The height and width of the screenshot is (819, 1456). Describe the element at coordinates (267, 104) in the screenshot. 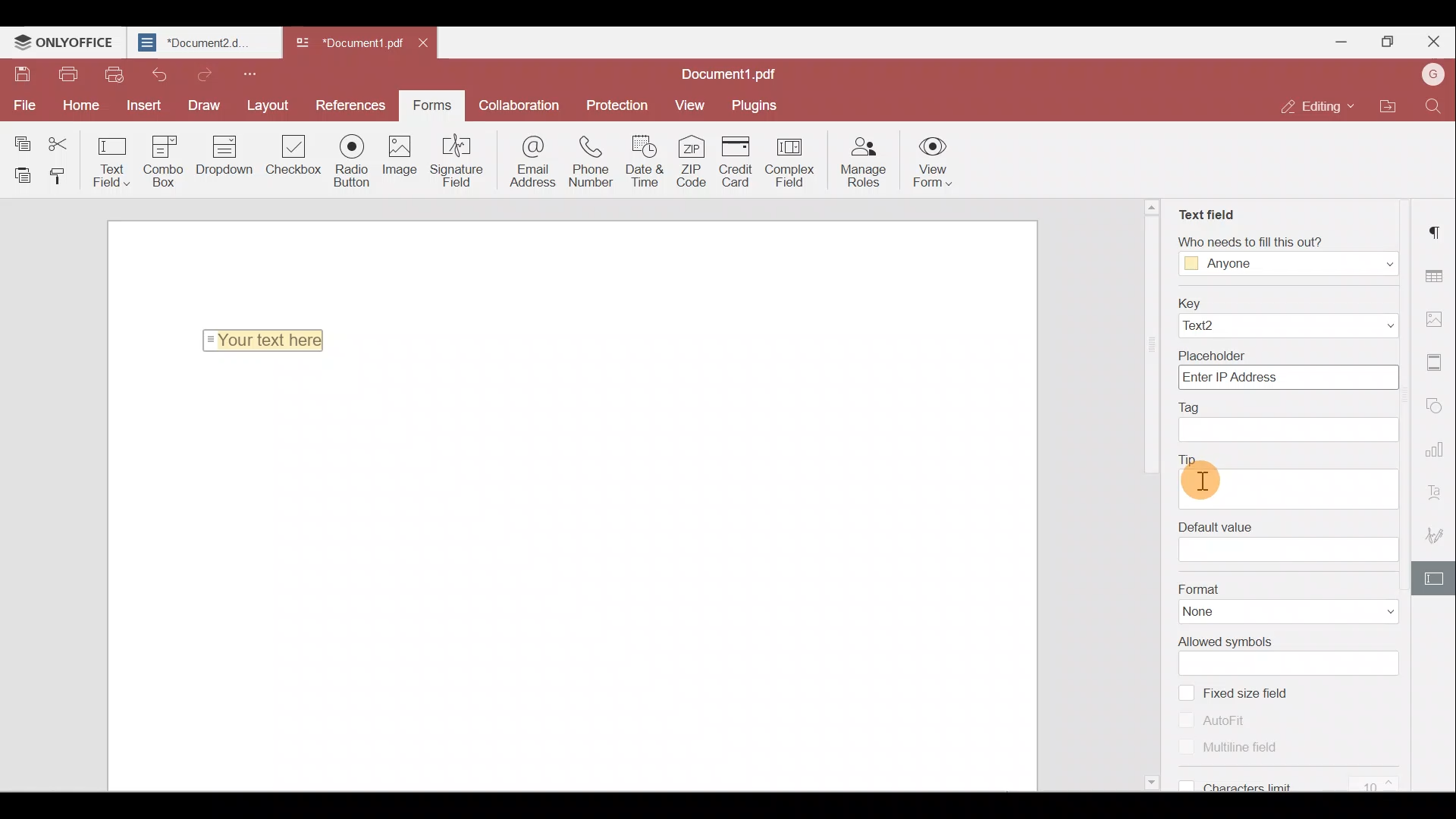

I see `Layout` at that location.